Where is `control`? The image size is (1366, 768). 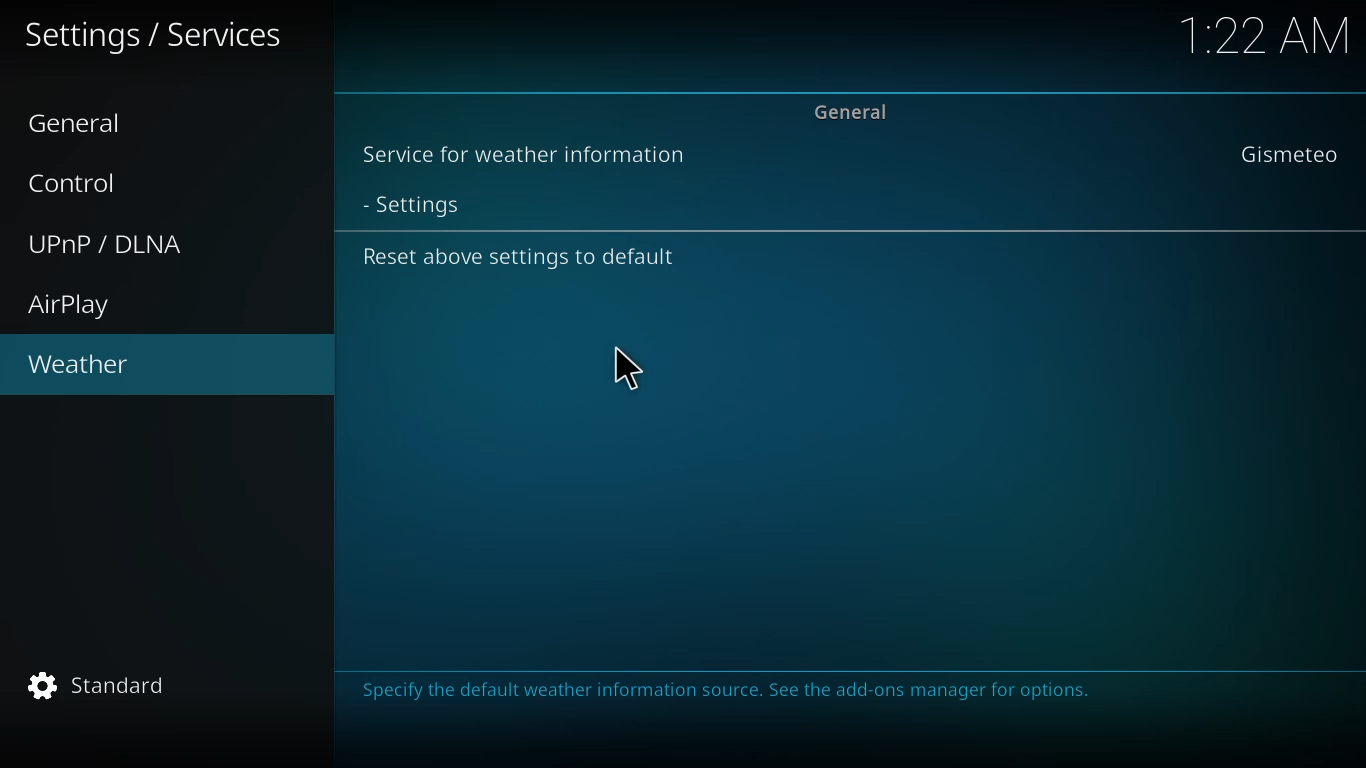 control is located at coordinates (83, 182).